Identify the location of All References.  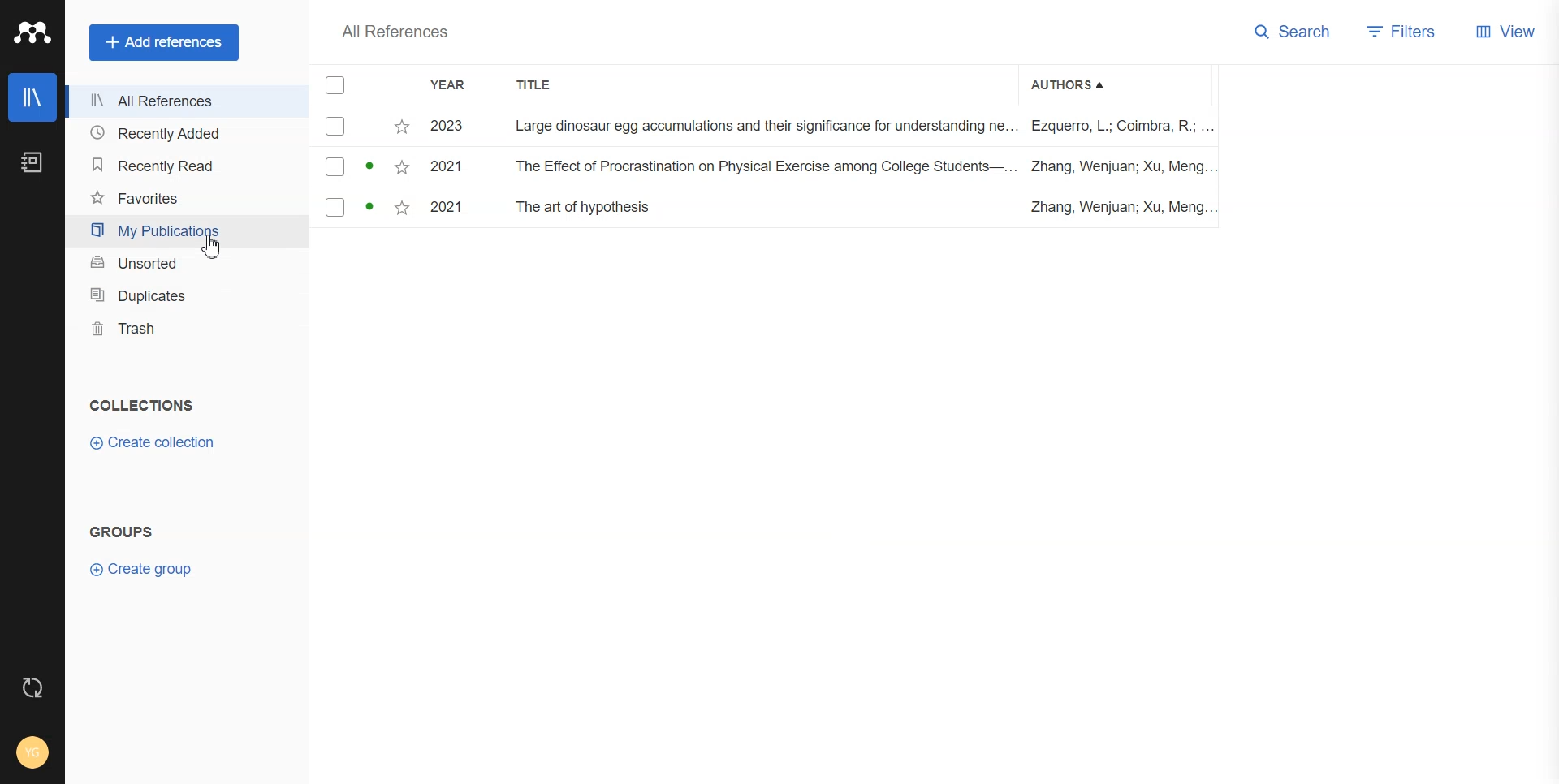
(178, 101).